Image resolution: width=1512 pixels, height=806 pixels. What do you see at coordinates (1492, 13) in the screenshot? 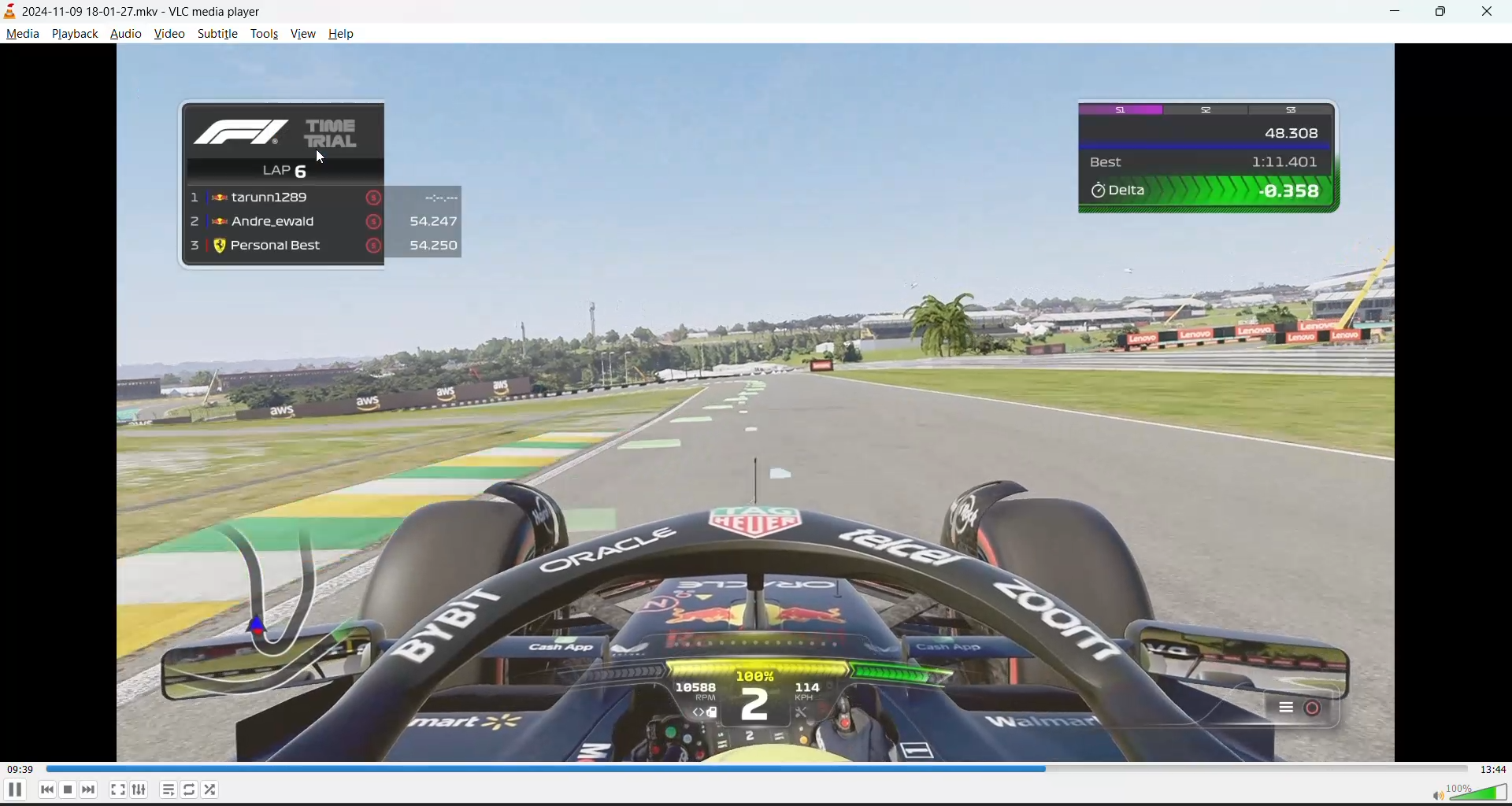
I see `close` at bounding box center [1492, 13].